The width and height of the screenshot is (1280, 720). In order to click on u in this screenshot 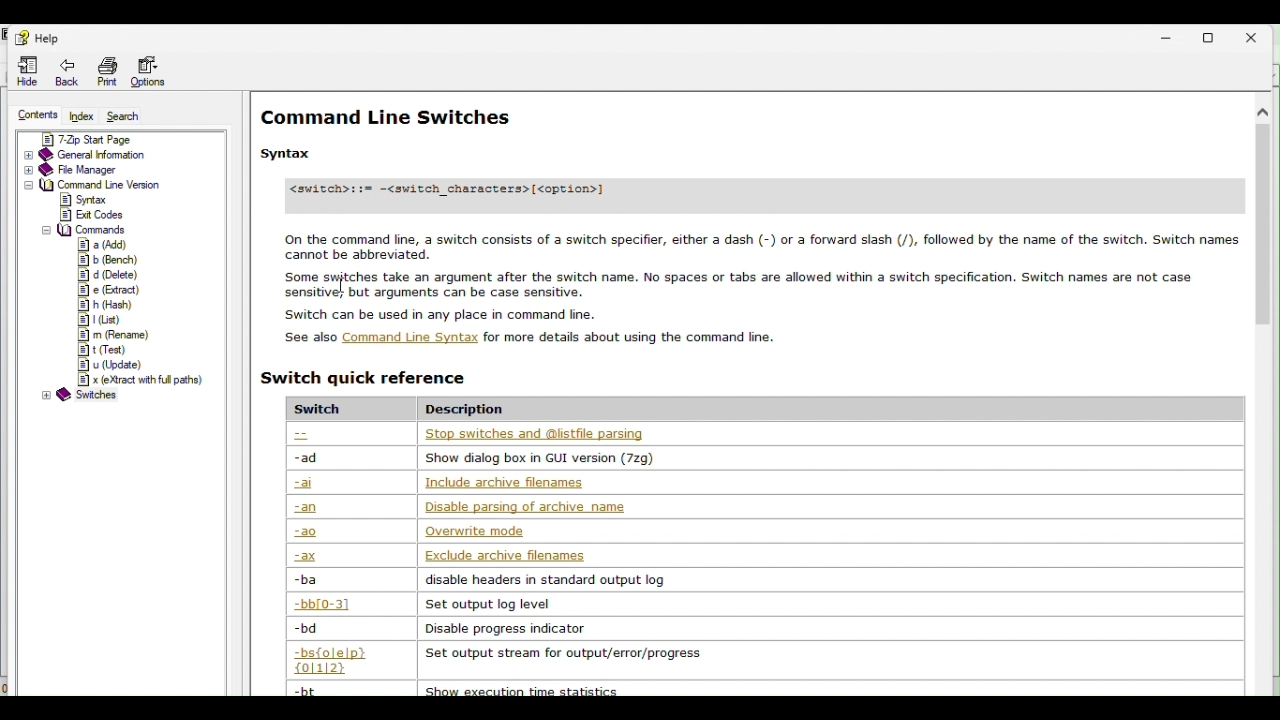, I will do `click(120, 366)`.